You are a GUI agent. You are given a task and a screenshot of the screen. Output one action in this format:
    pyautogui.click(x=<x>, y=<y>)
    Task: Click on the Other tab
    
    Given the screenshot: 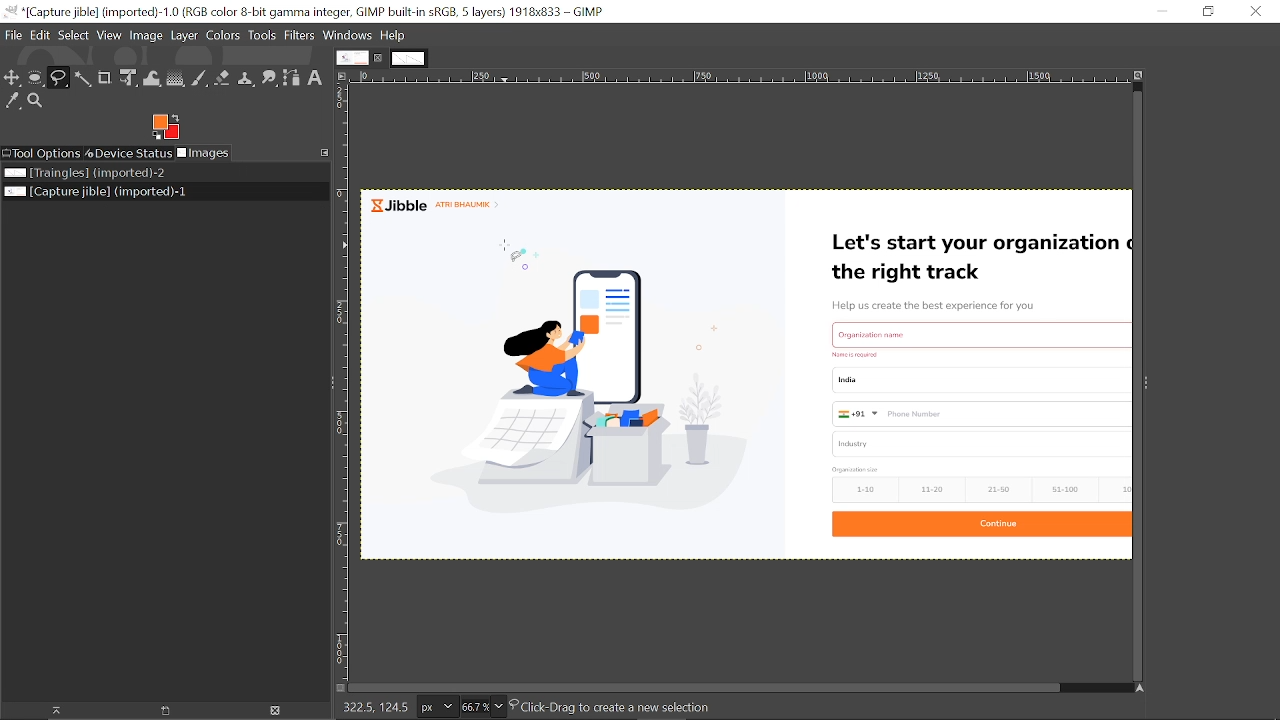 What is the action you would take?
    pyautogui.click(x=408, y=58)
    